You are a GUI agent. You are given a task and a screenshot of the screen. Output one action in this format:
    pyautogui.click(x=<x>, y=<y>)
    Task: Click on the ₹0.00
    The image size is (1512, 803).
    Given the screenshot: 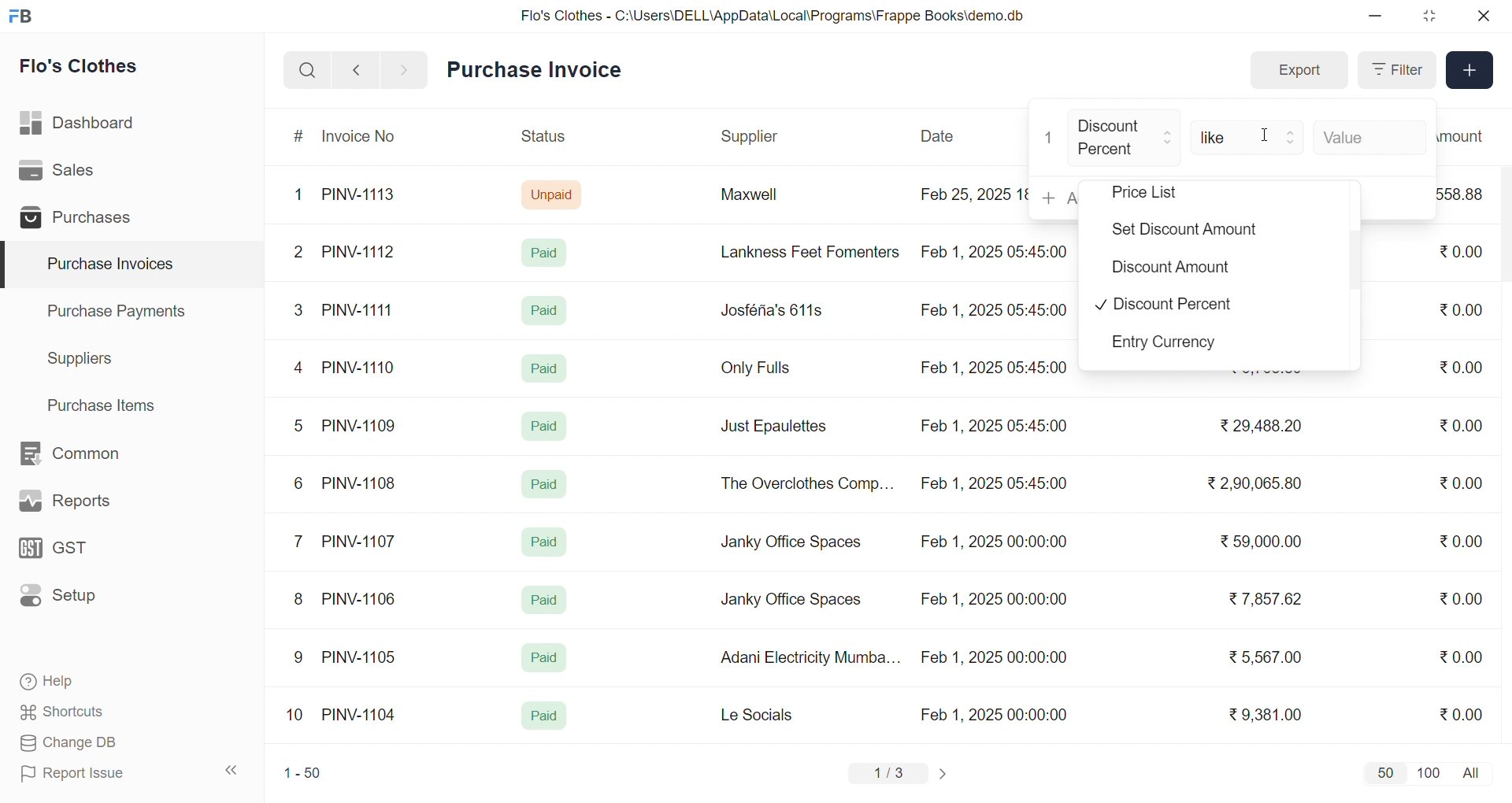 What is the action you would take?
    pyautogui.click(x=1461, y=713)
    